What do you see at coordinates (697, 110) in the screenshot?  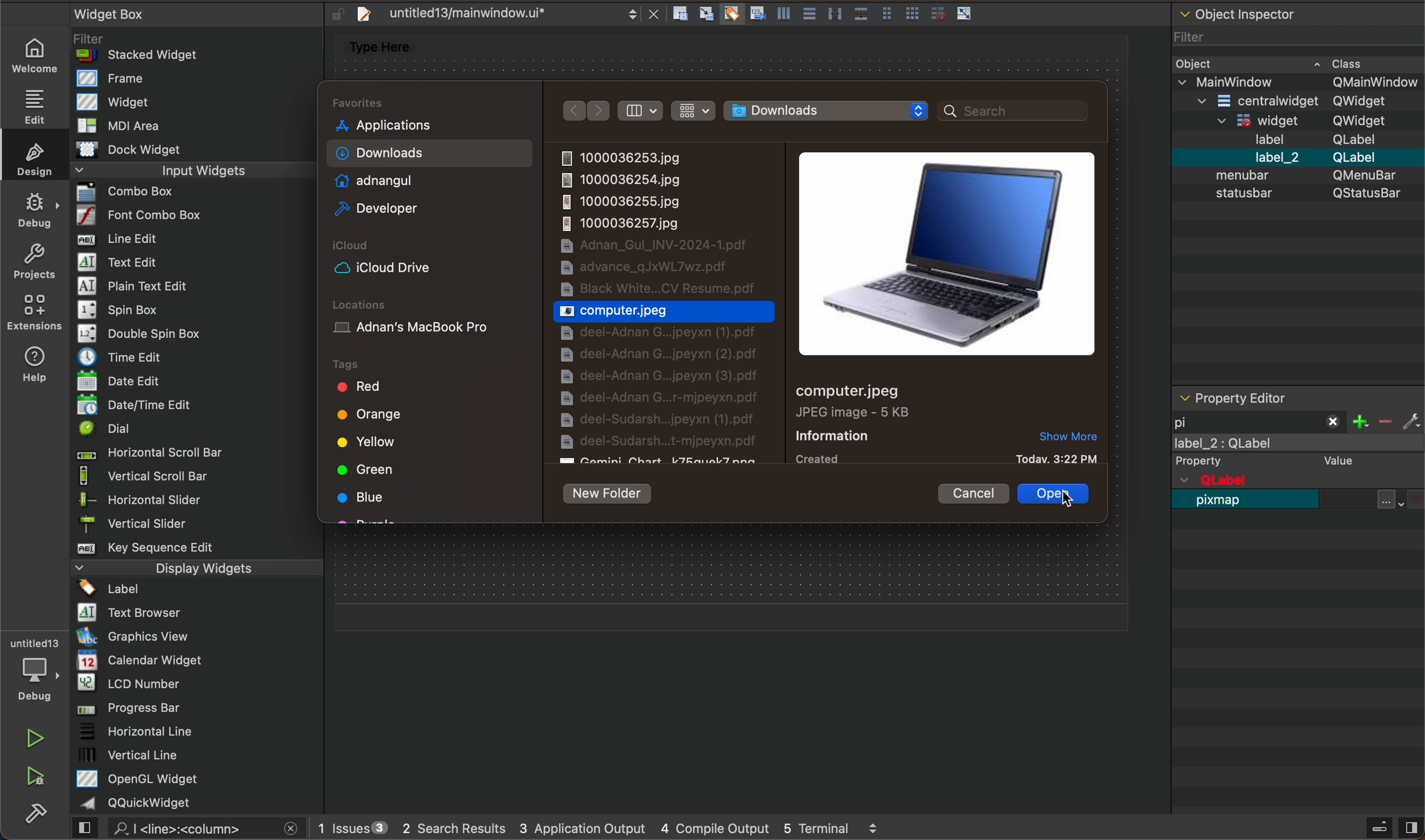 I see `` at bounding box center [697, 110].